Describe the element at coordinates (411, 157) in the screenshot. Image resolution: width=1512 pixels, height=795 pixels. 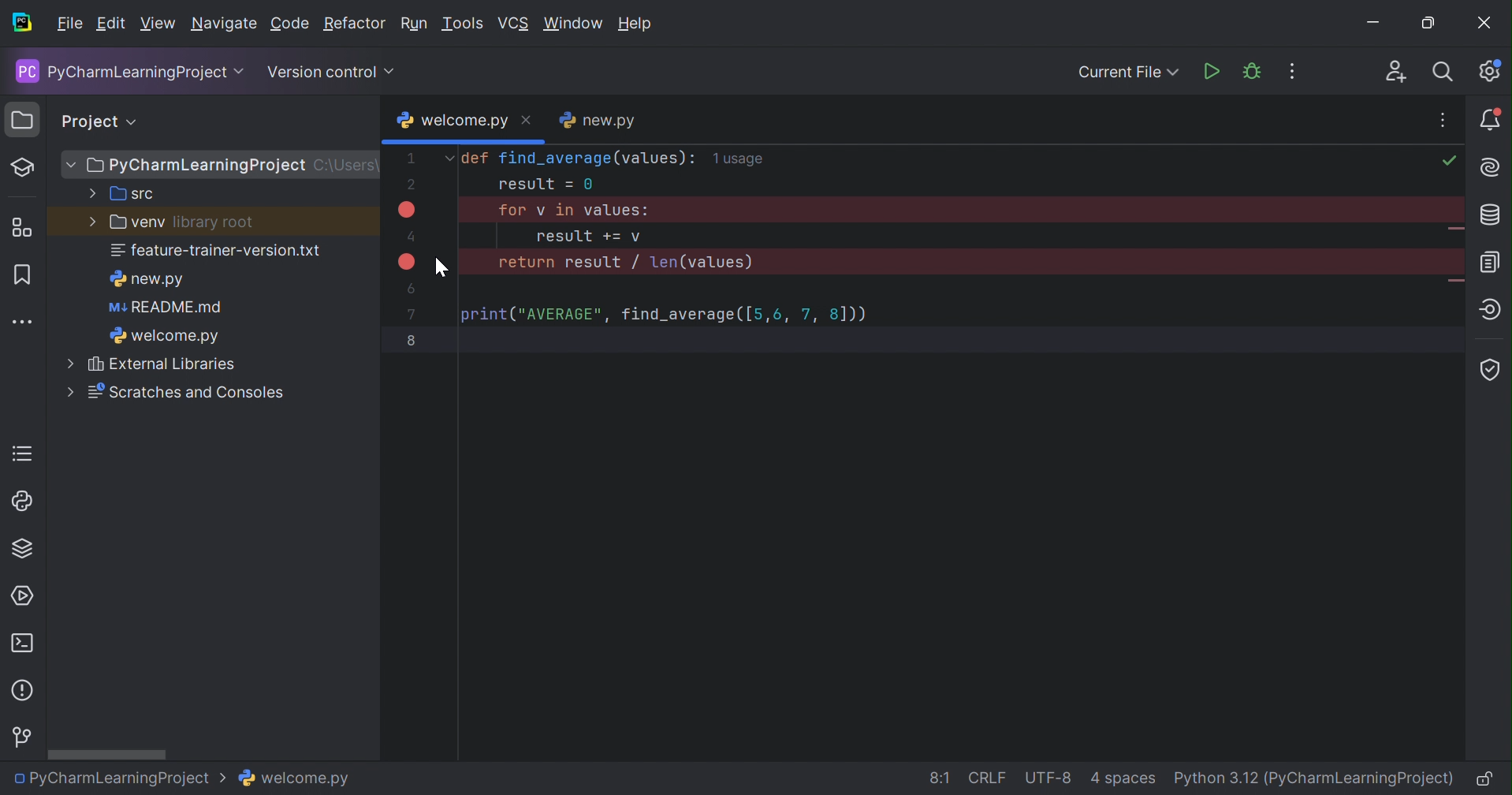
I see `1` at that location.